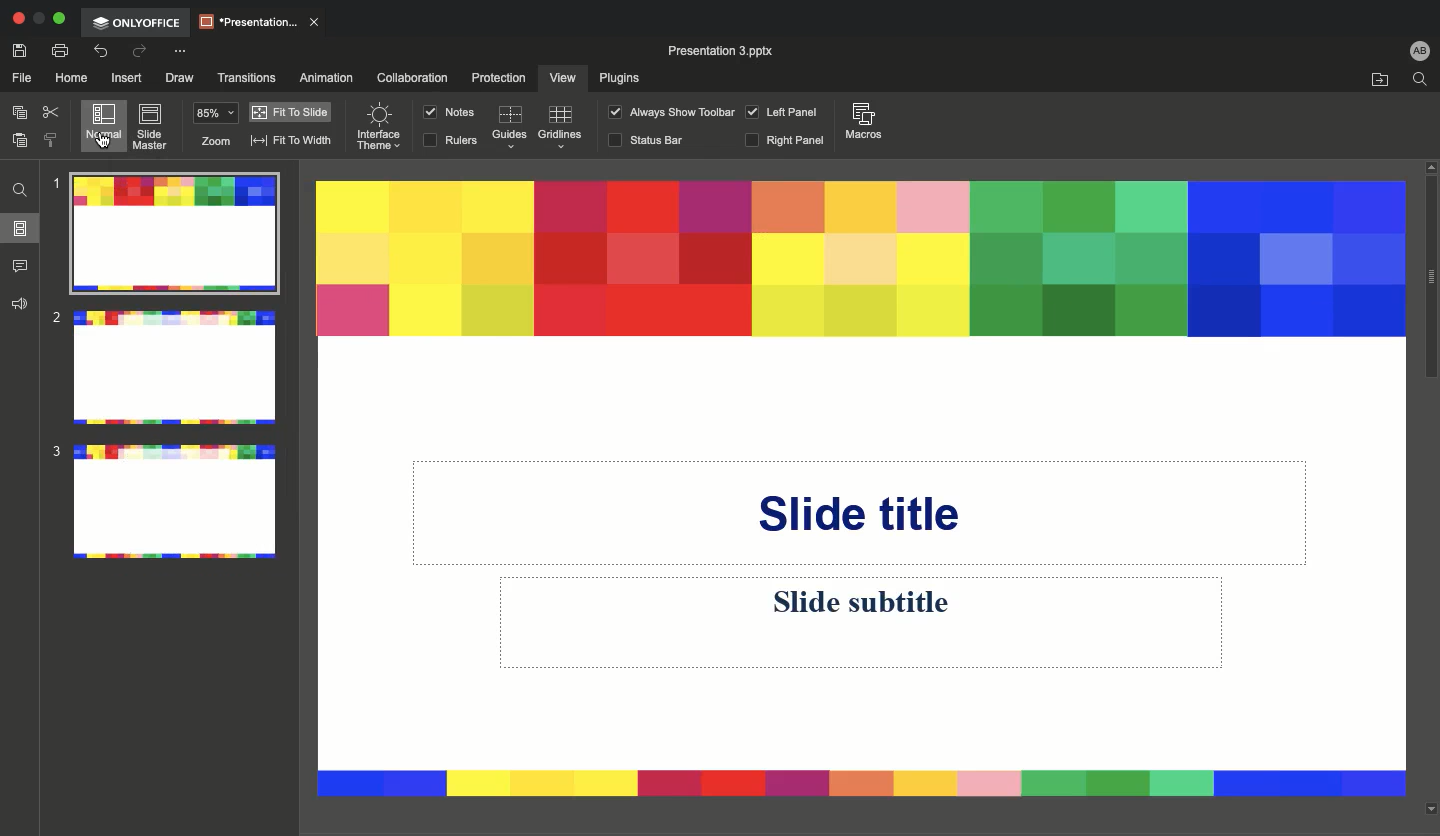 Image resolution: width=1440 pixels, height=836 pixels. Describe the element at coordinates (38, 20) in the screenshot. I see `Restore` at that location.